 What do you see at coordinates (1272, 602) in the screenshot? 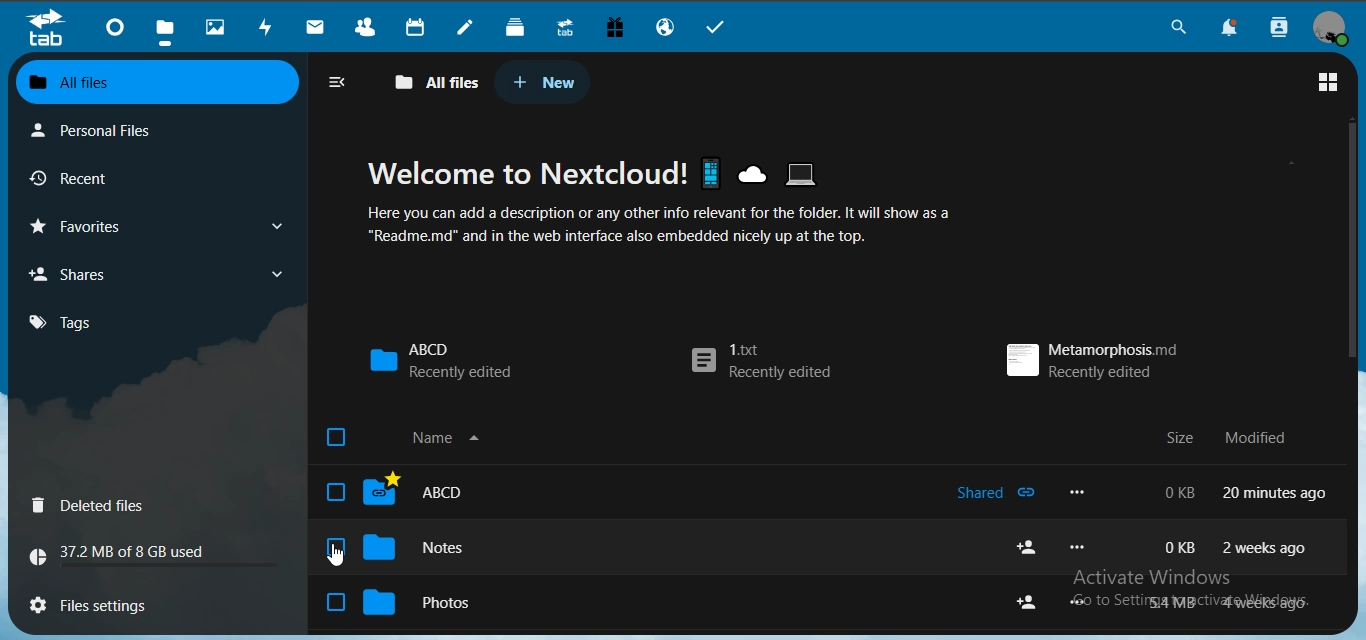
I see `4 weeks ago` at bounding box center [1272, 602].